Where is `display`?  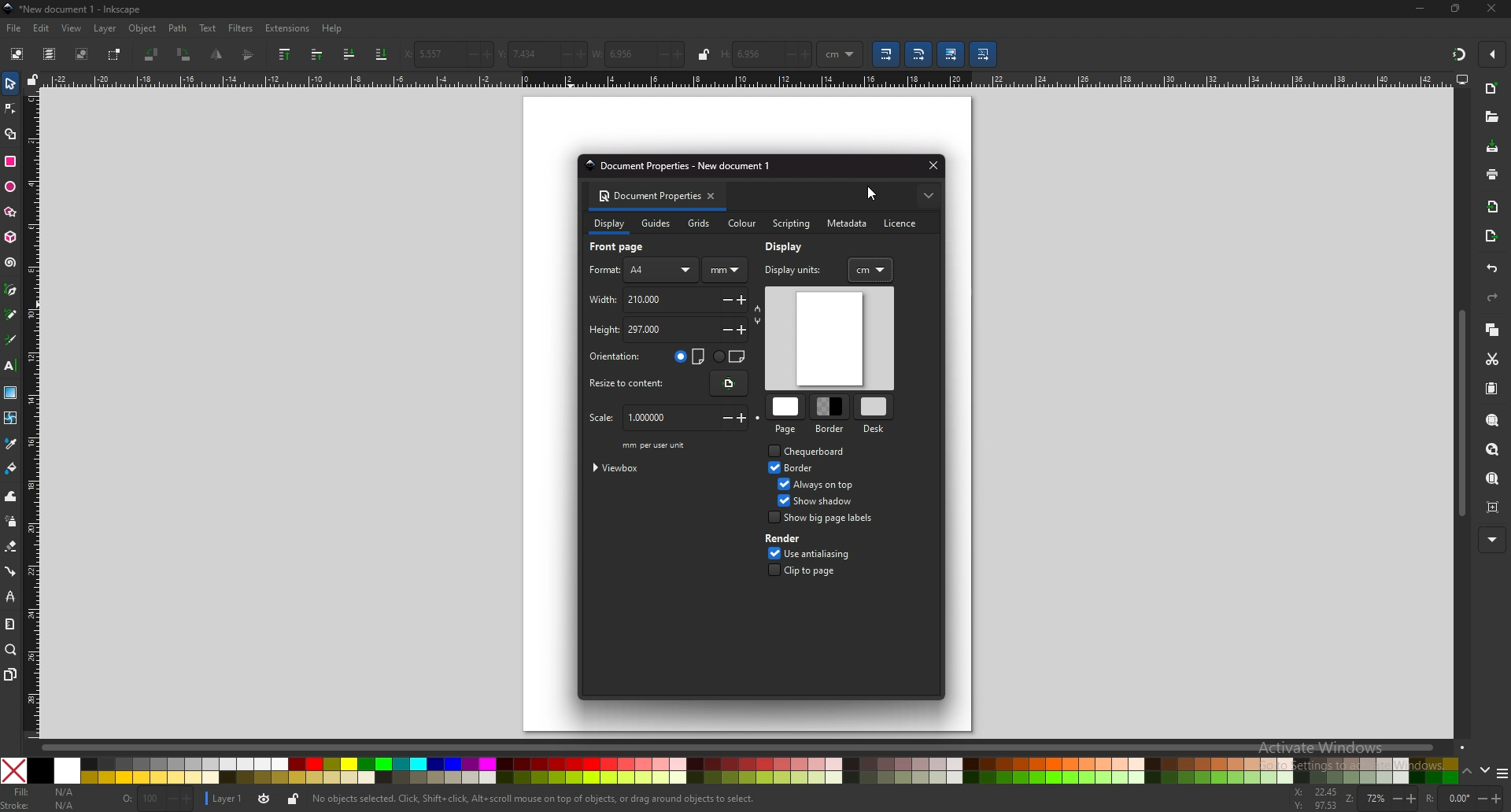 display is located at coordinates (608, 226).